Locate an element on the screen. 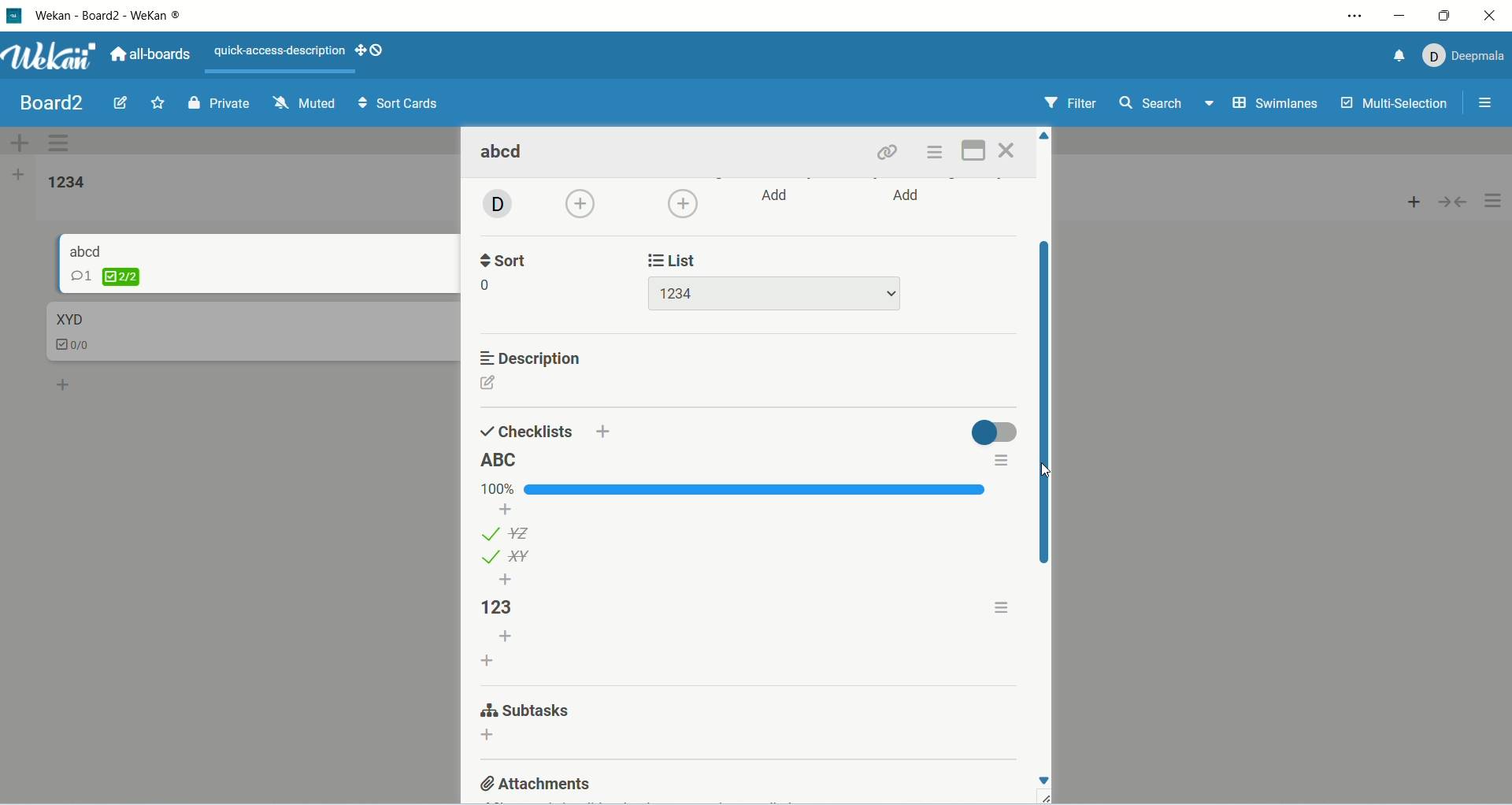 This screenshot has height=805, width=1512. toggle button is located at coordinates (993, 432).